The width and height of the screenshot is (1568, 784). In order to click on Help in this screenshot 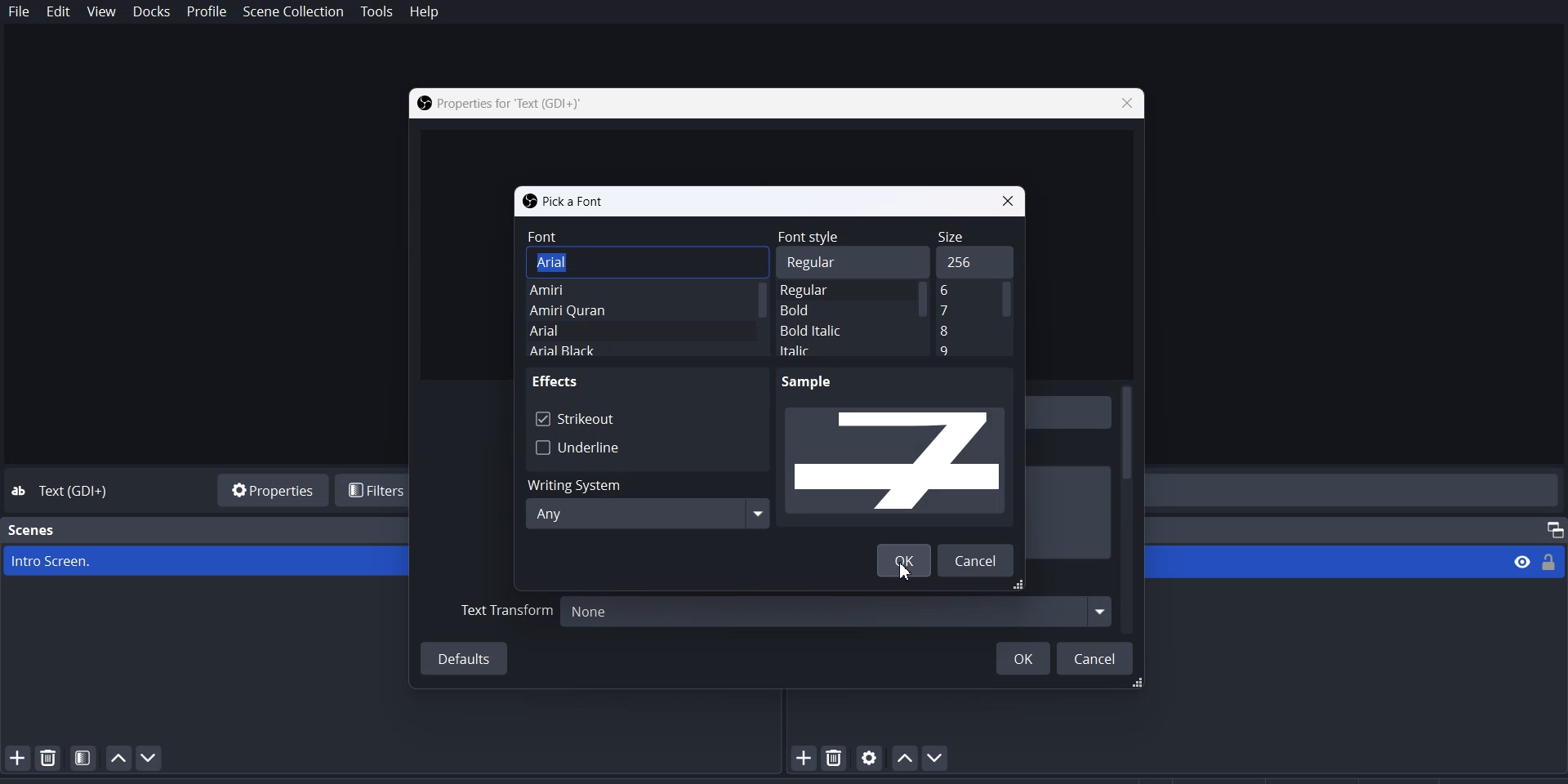, I will do `click(424, 13)`.